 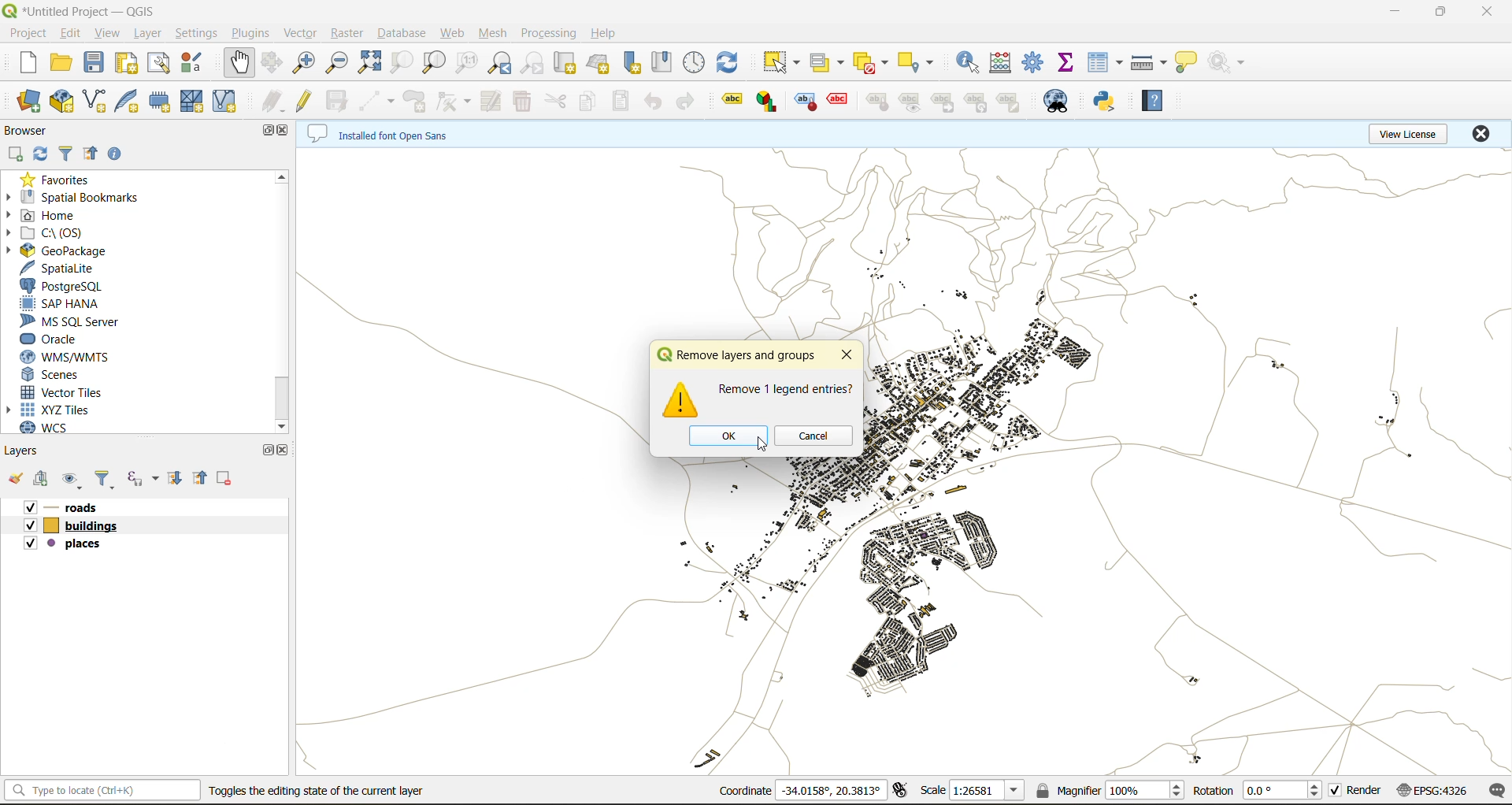 What do you see at coordinates (114, 153) in the screenshot?
I see `enable properties` at bounding box center [114, 153].